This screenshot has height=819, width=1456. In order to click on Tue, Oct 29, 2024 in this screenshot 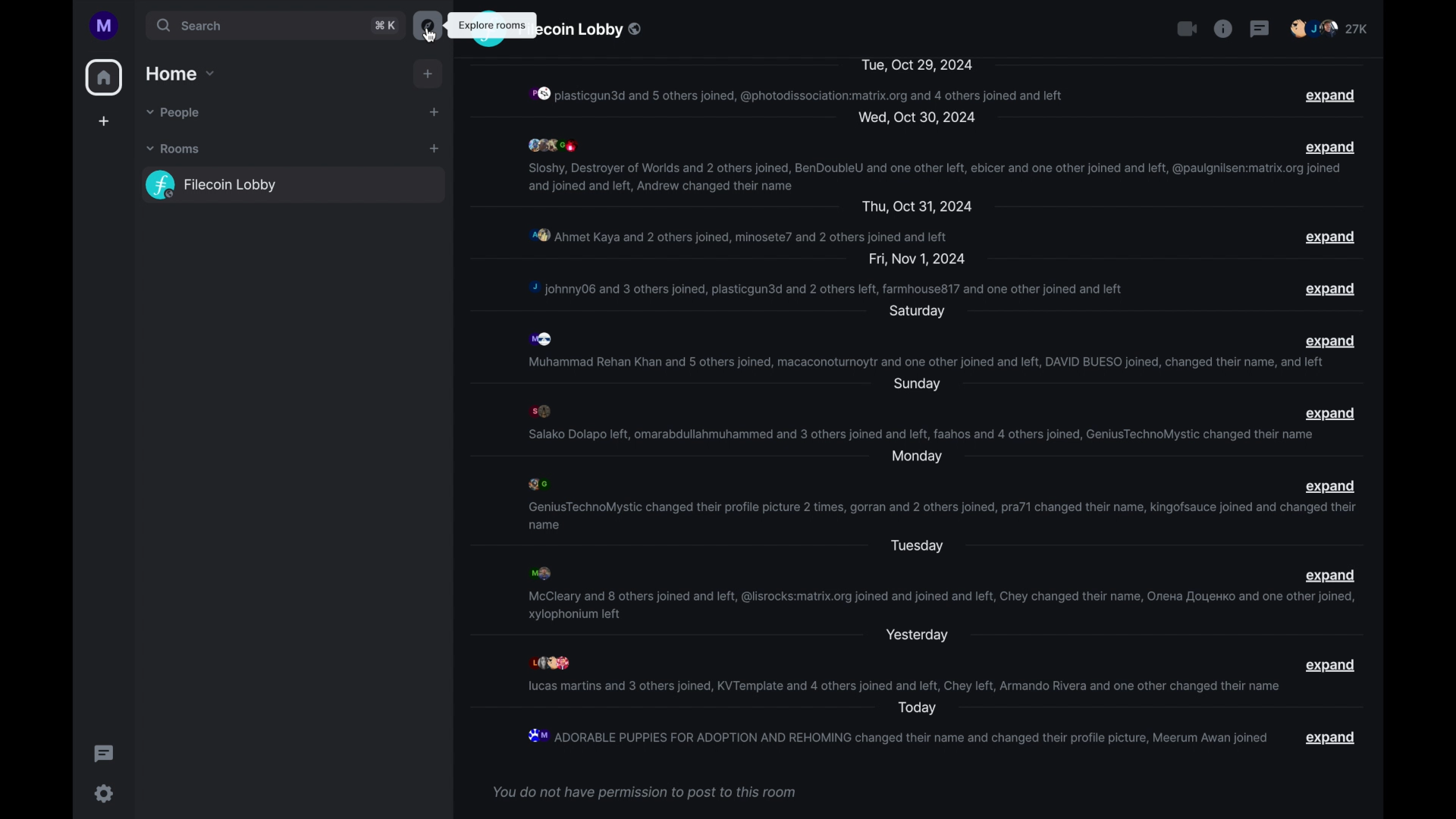, I will do `click(916, 64)`.